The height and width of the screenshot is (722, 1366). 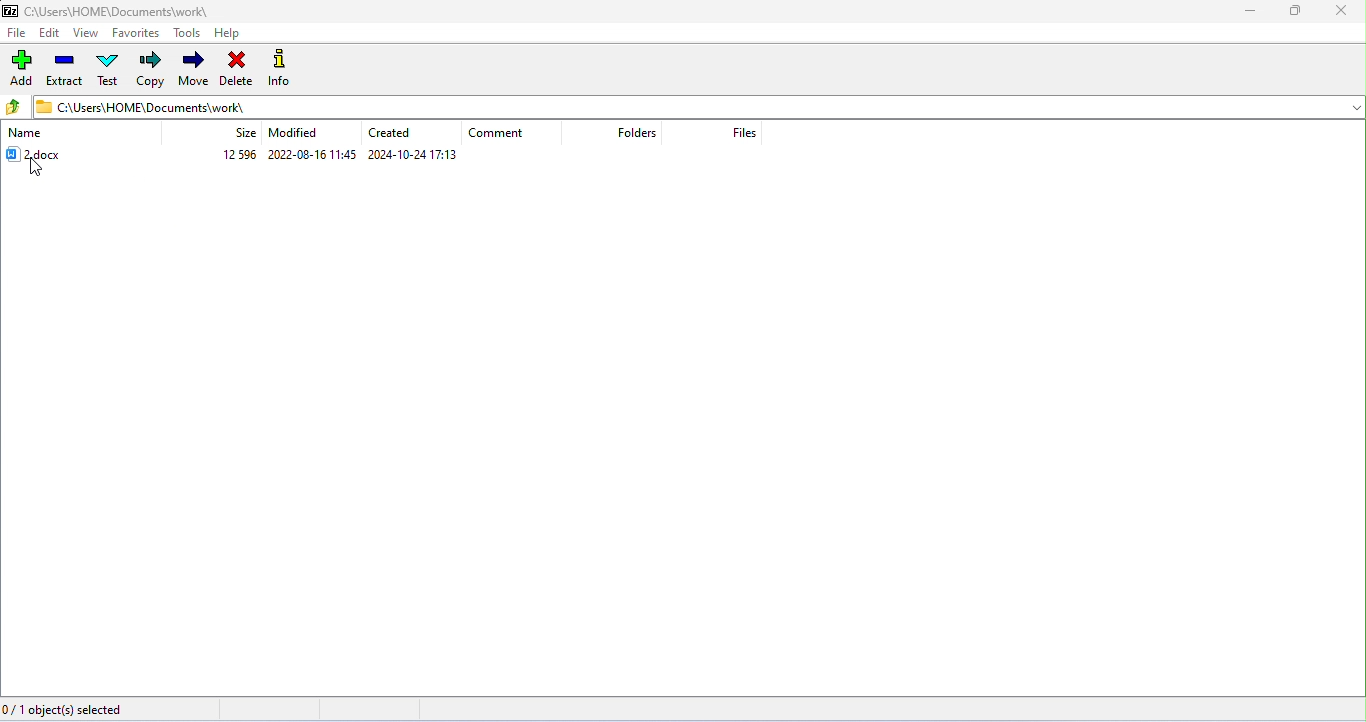 I want to click on 2022-08-16 11:45, so click(x=312, y=155).